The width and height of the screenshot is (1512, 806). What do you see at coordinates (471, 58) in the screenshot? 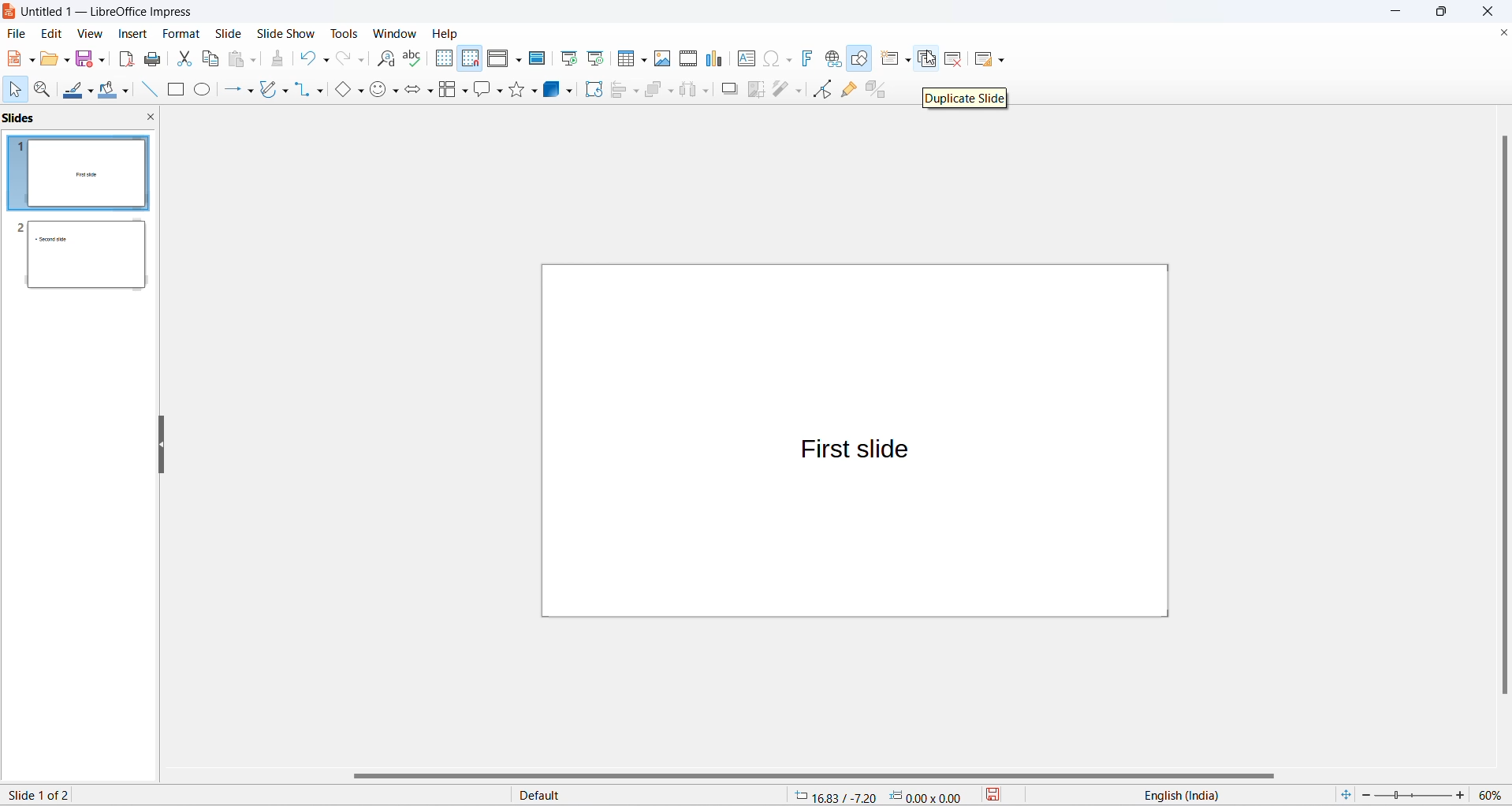
I see `snap to grid` at bounding box center [471, 58].